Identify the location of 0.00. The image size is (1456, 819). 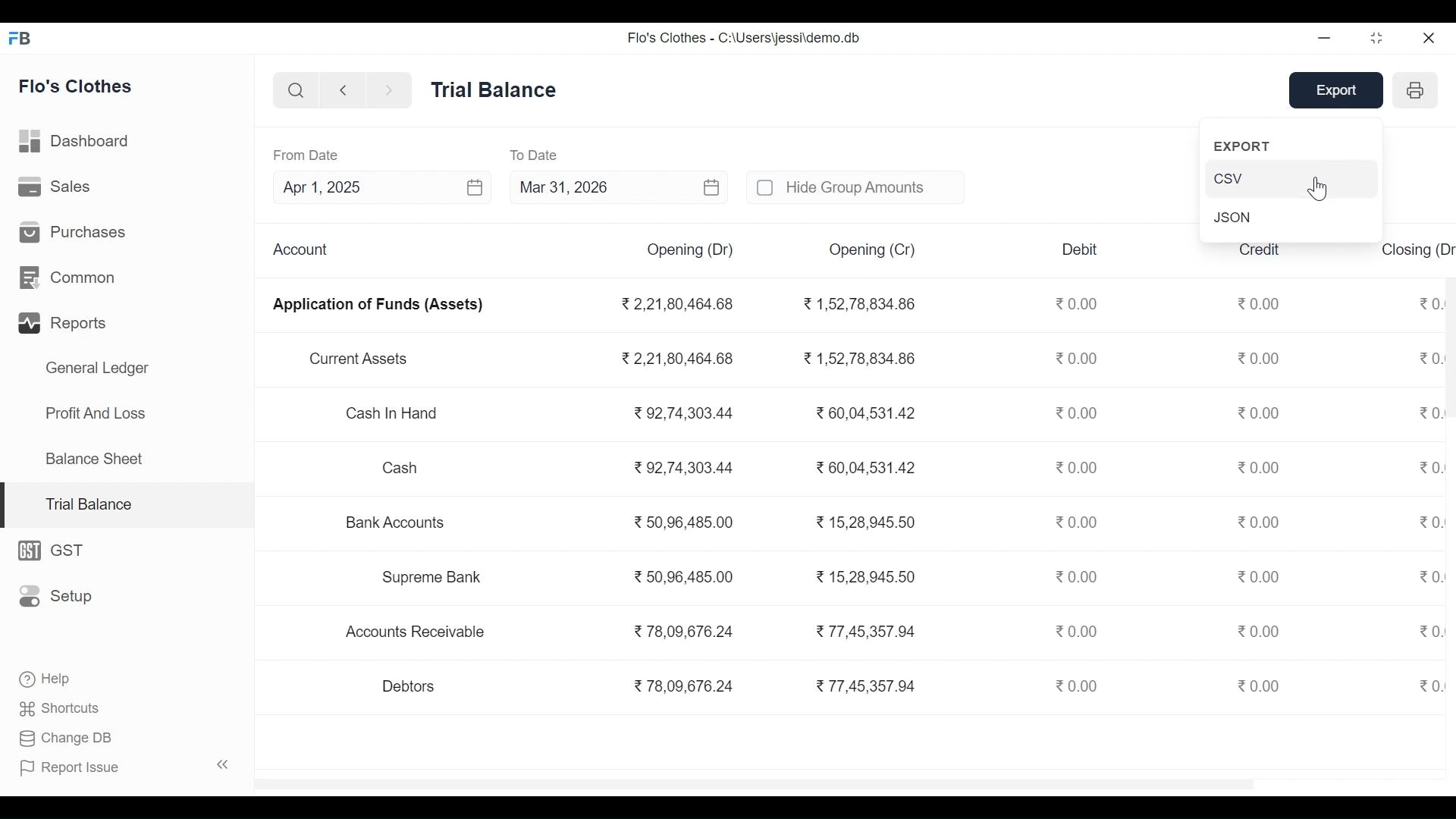
(1430, 467).